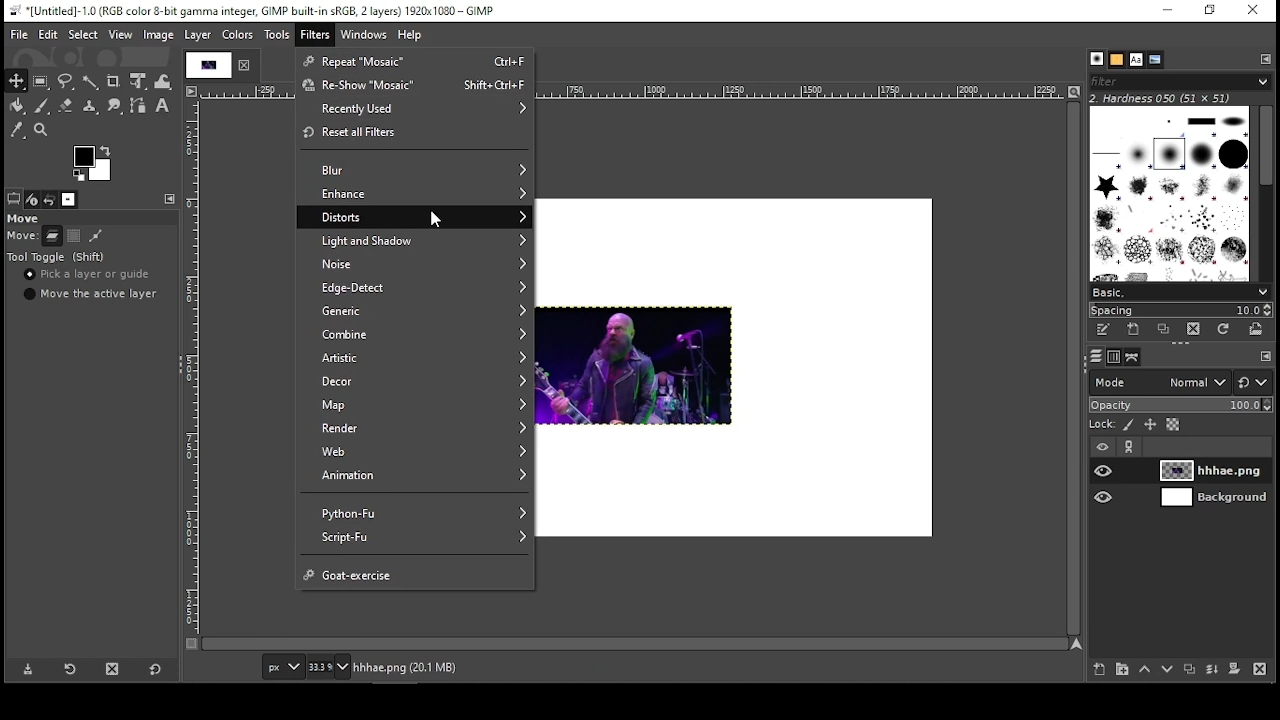  Describe the element at coordinates (94, 161) in the screenshot. I see `colors` at that location.